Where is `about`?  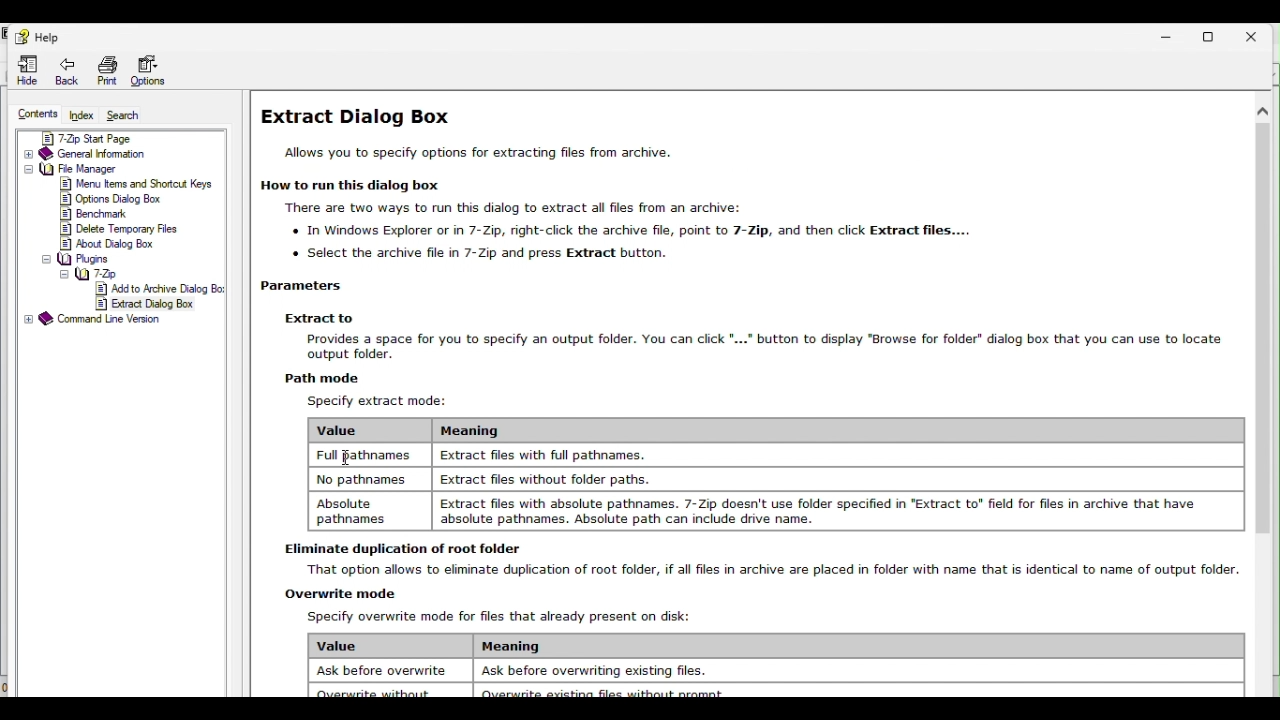 about is located at coordinates (110, 243).